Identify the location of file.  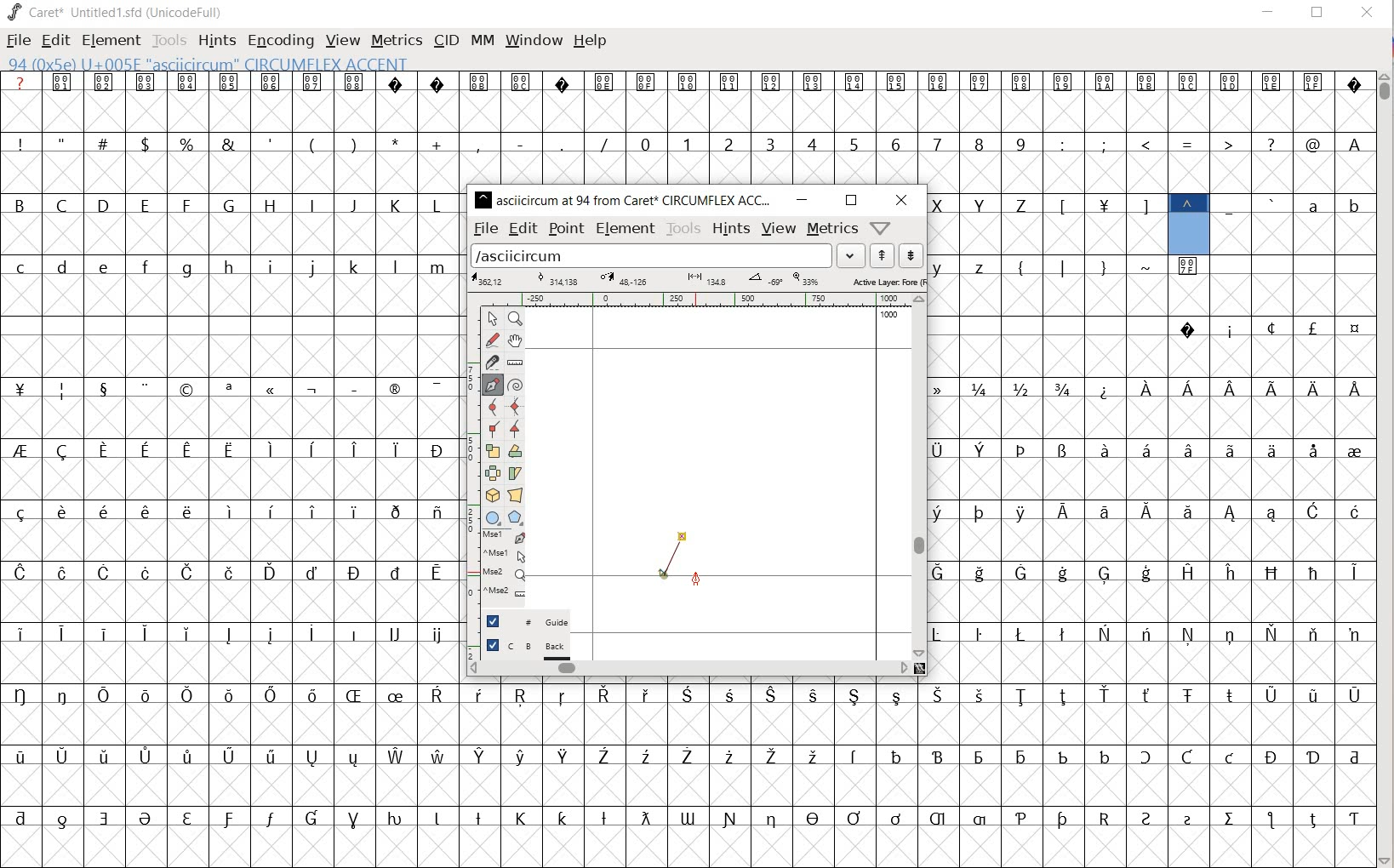
(485, 230).